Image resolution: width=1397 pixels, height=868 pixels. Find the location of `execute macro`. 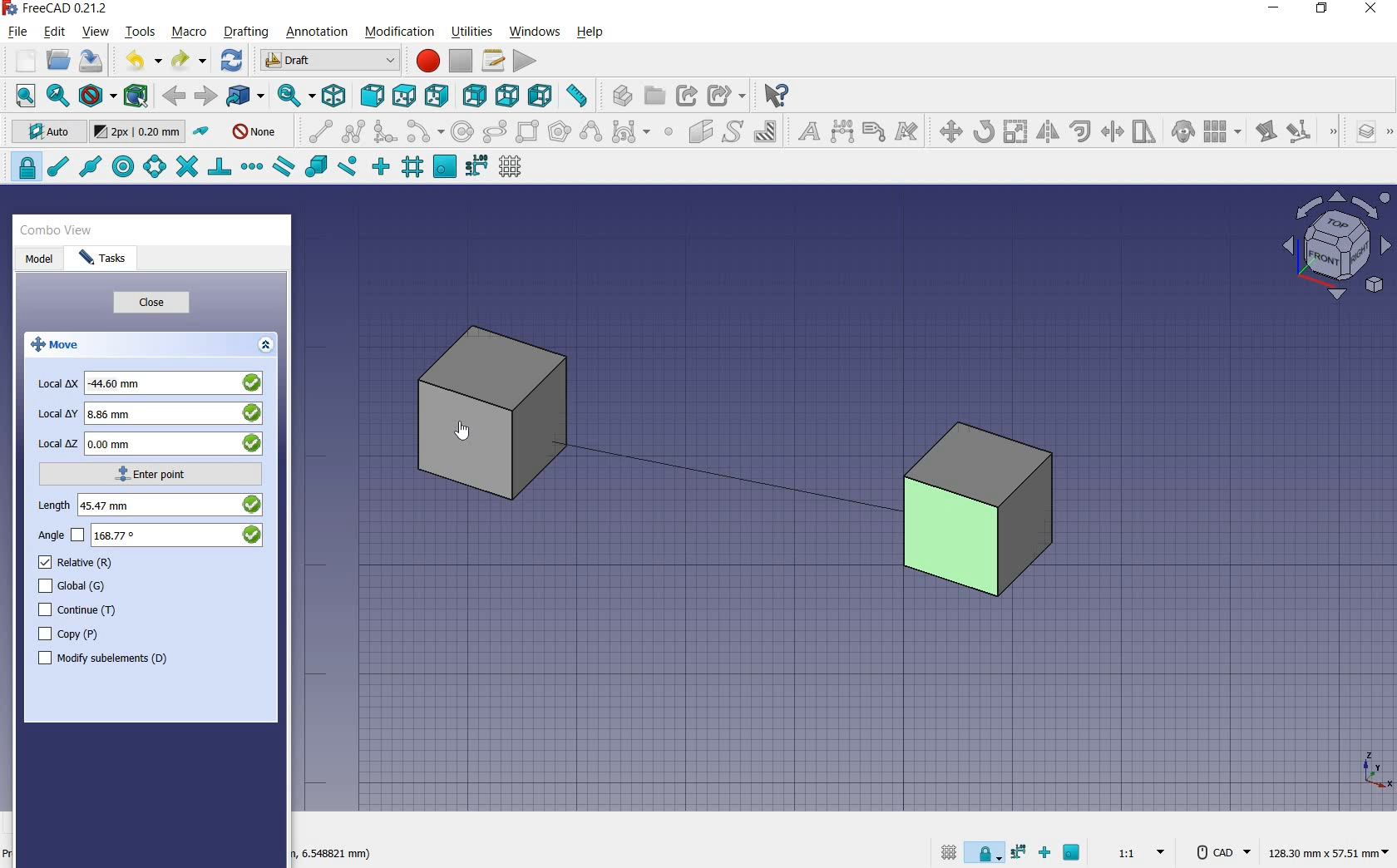

execute macro is located at coordinates (524, 62).